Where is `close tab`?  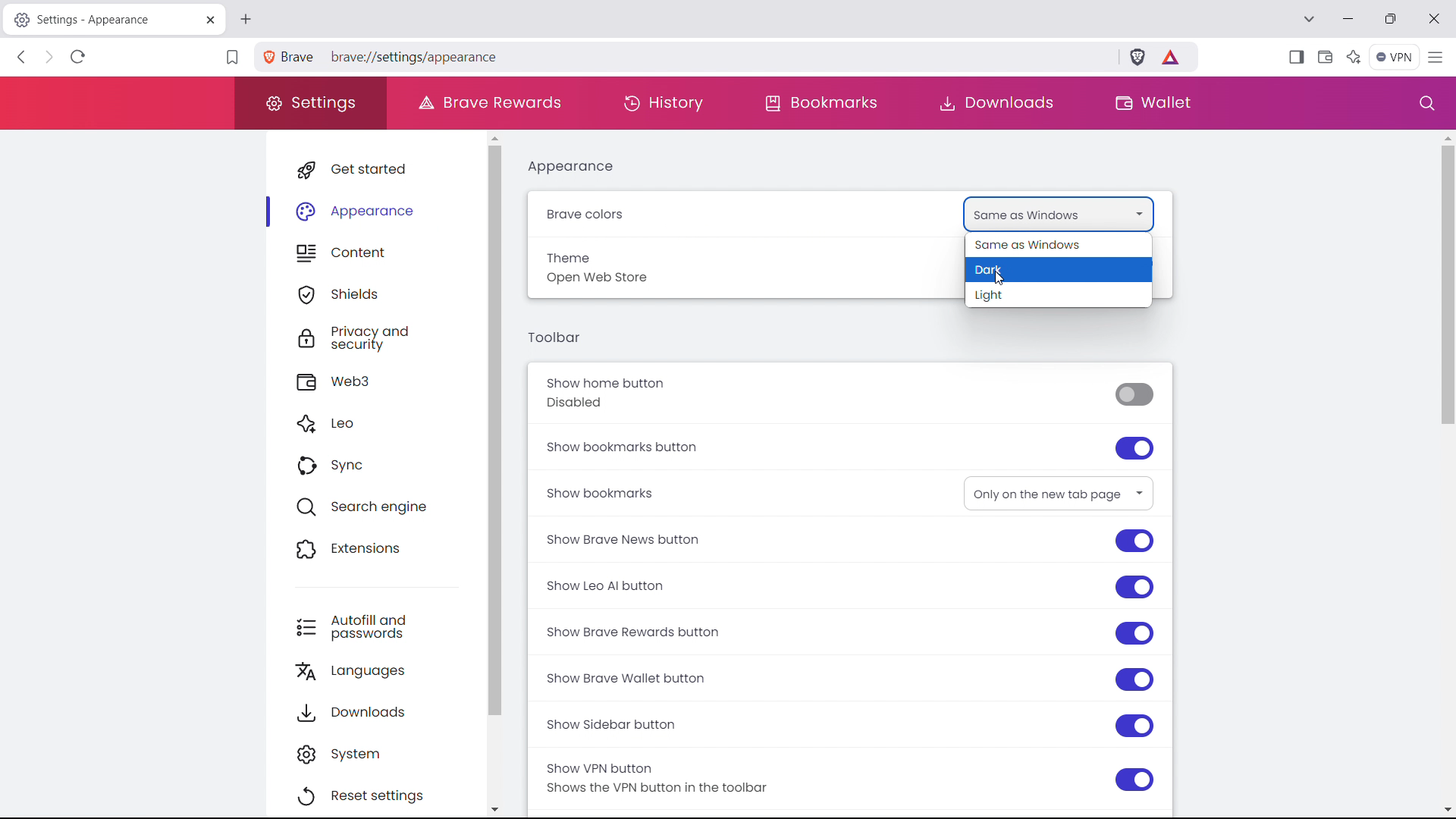 close tab is located at coordinates (211, 21).